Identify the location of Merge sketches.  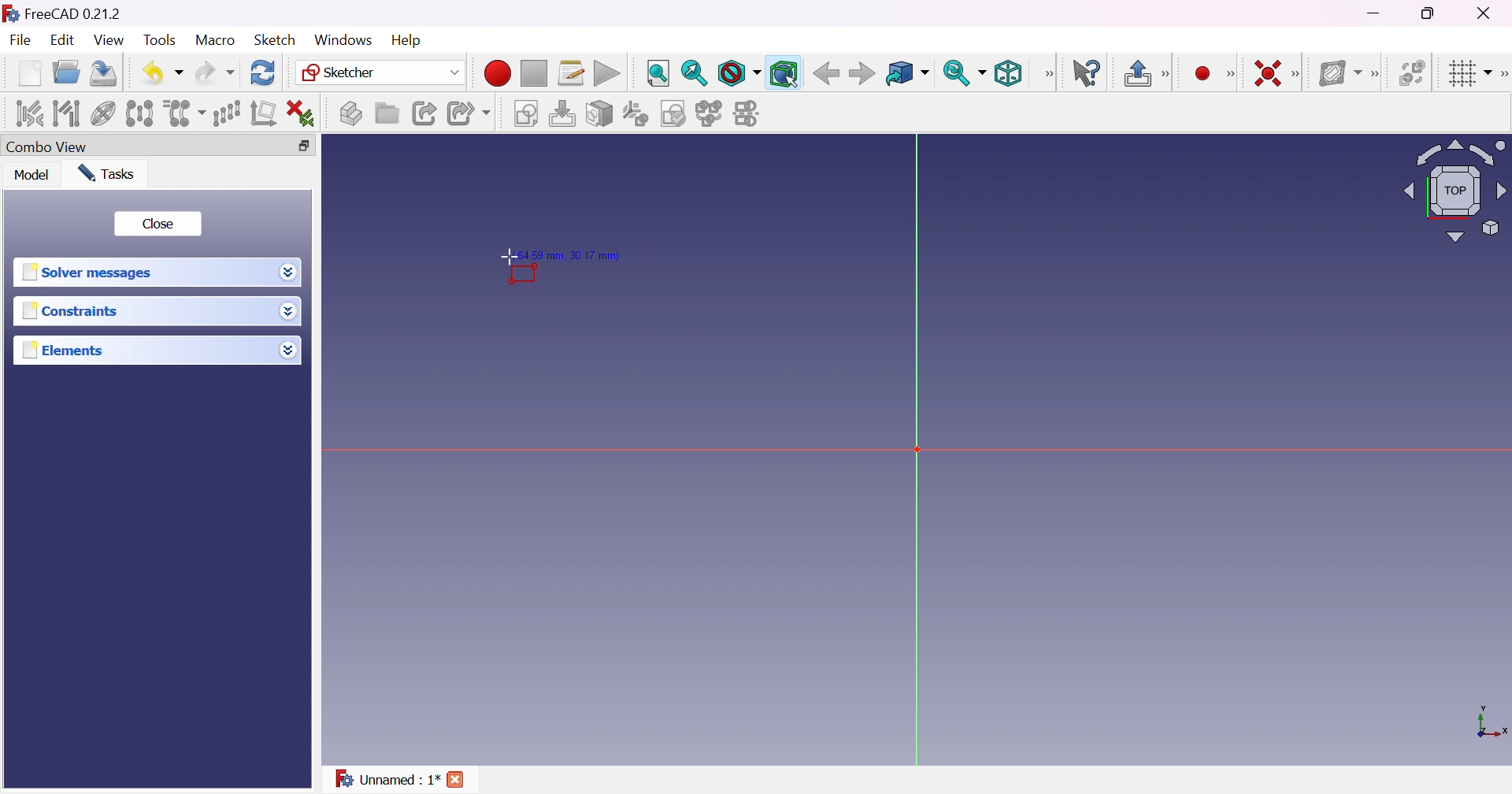
(709, 114).